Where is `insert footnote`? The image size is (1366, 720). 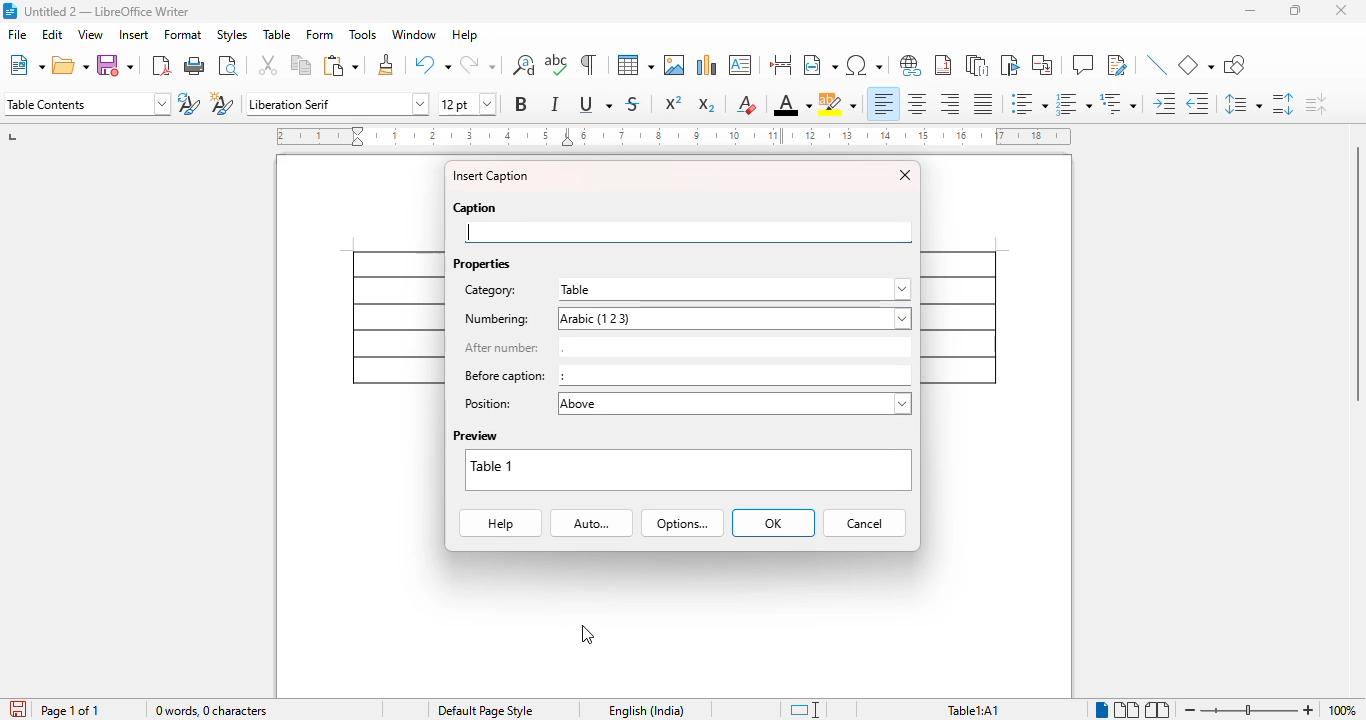
insert footnote is located at coordinates (943, 65).